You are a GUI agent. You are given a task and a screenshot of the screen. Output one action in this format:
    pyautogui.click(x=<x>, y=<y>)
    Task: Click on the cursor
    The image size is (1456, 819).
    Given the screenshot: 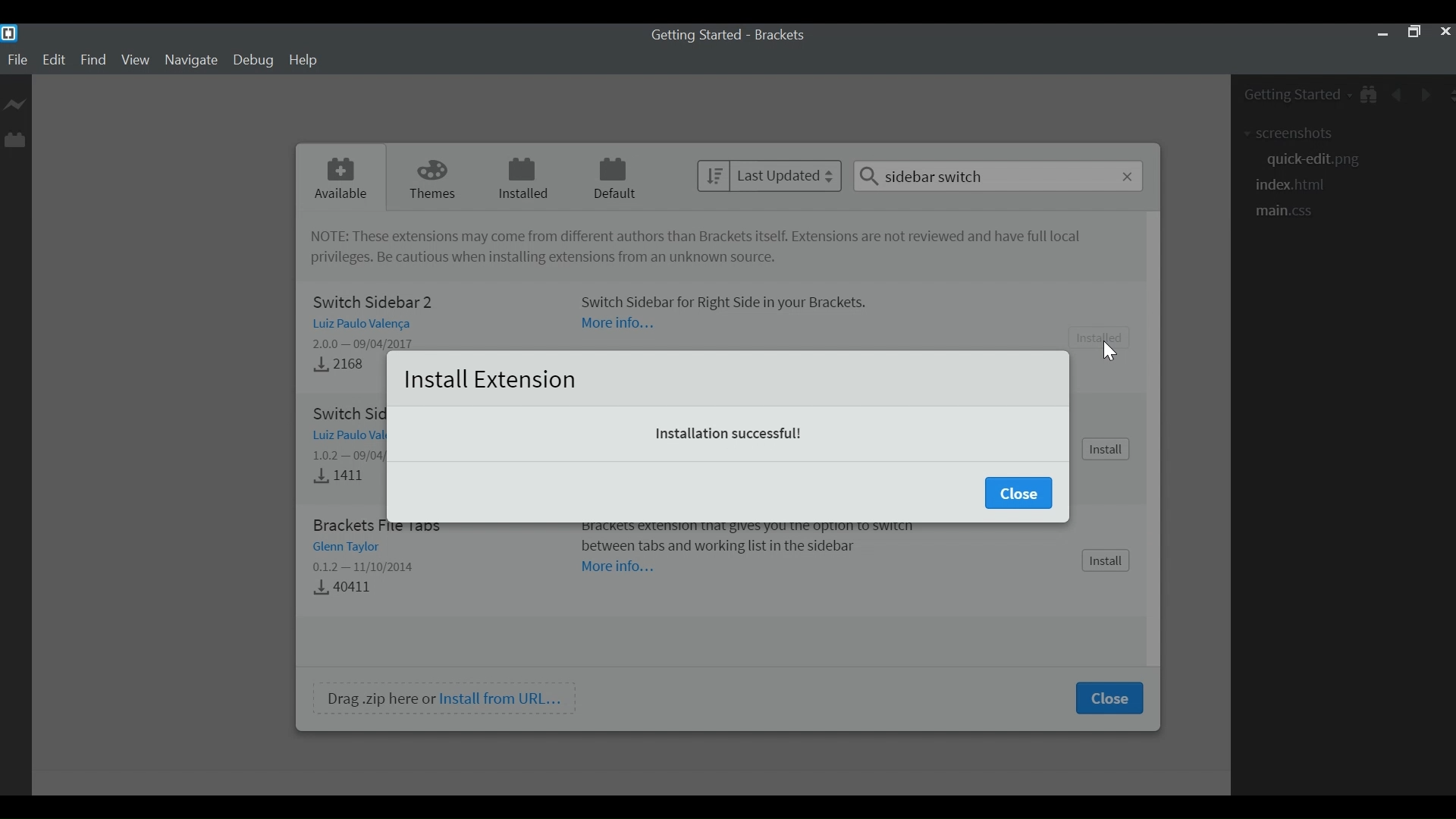 What is the action you would take?
    pyautogui.click(x=1109, y=350)
    